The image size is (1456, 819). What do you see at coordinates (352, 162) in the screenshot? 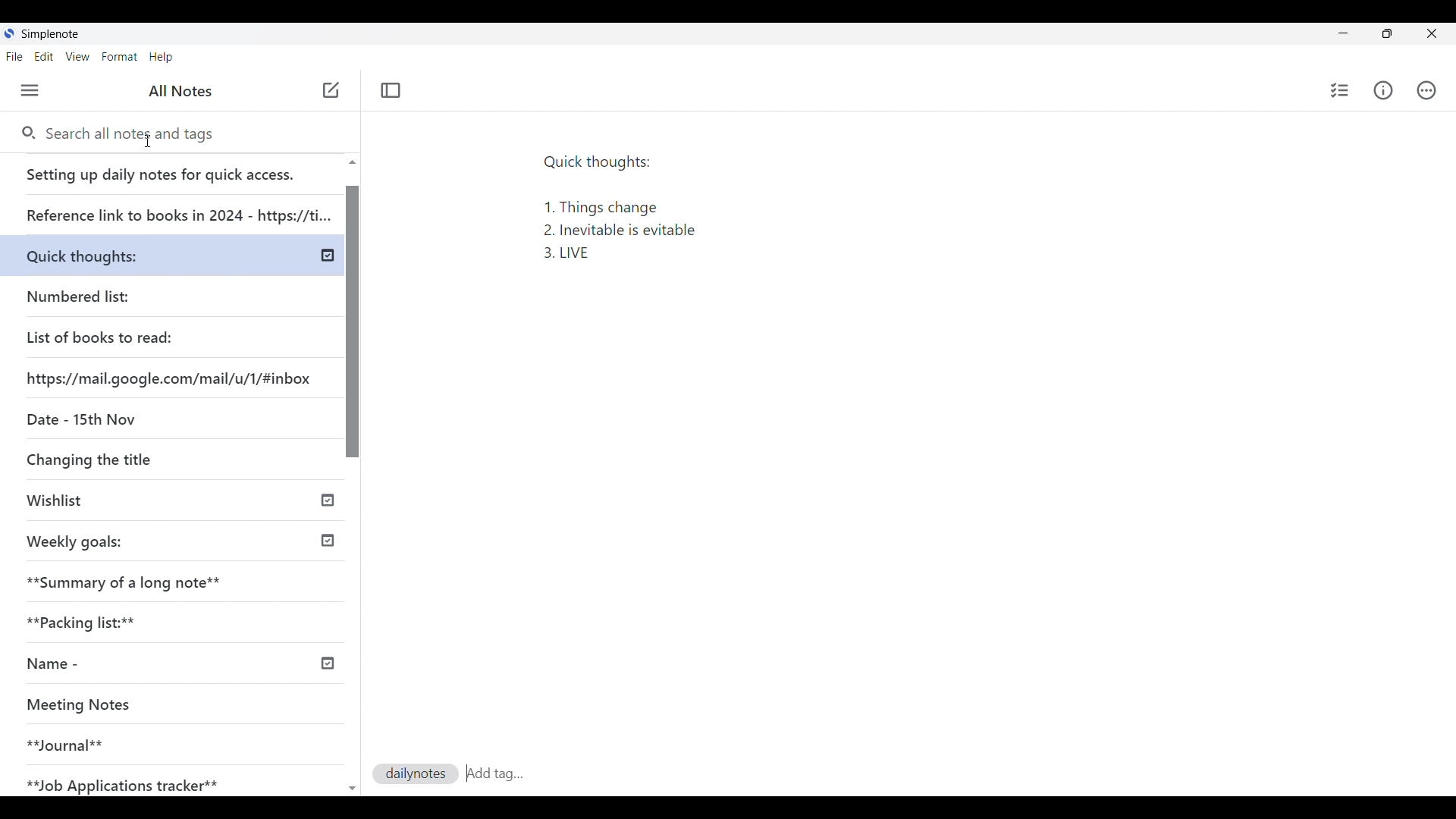
I see `Quick slide to top` at bounding box center [352, 162].